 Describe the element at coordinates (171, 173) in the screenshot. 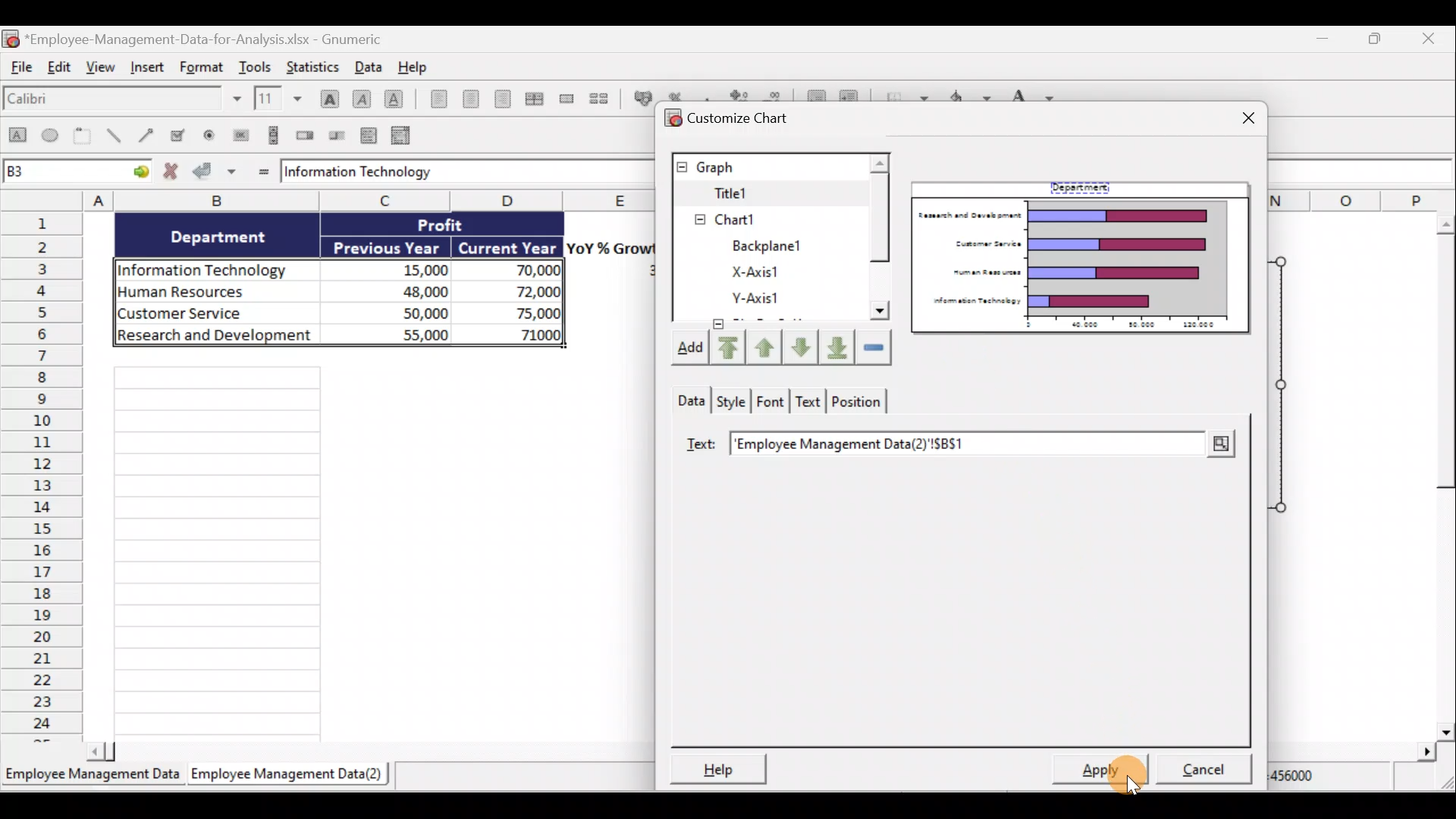

I see `Cancel change` at that location.